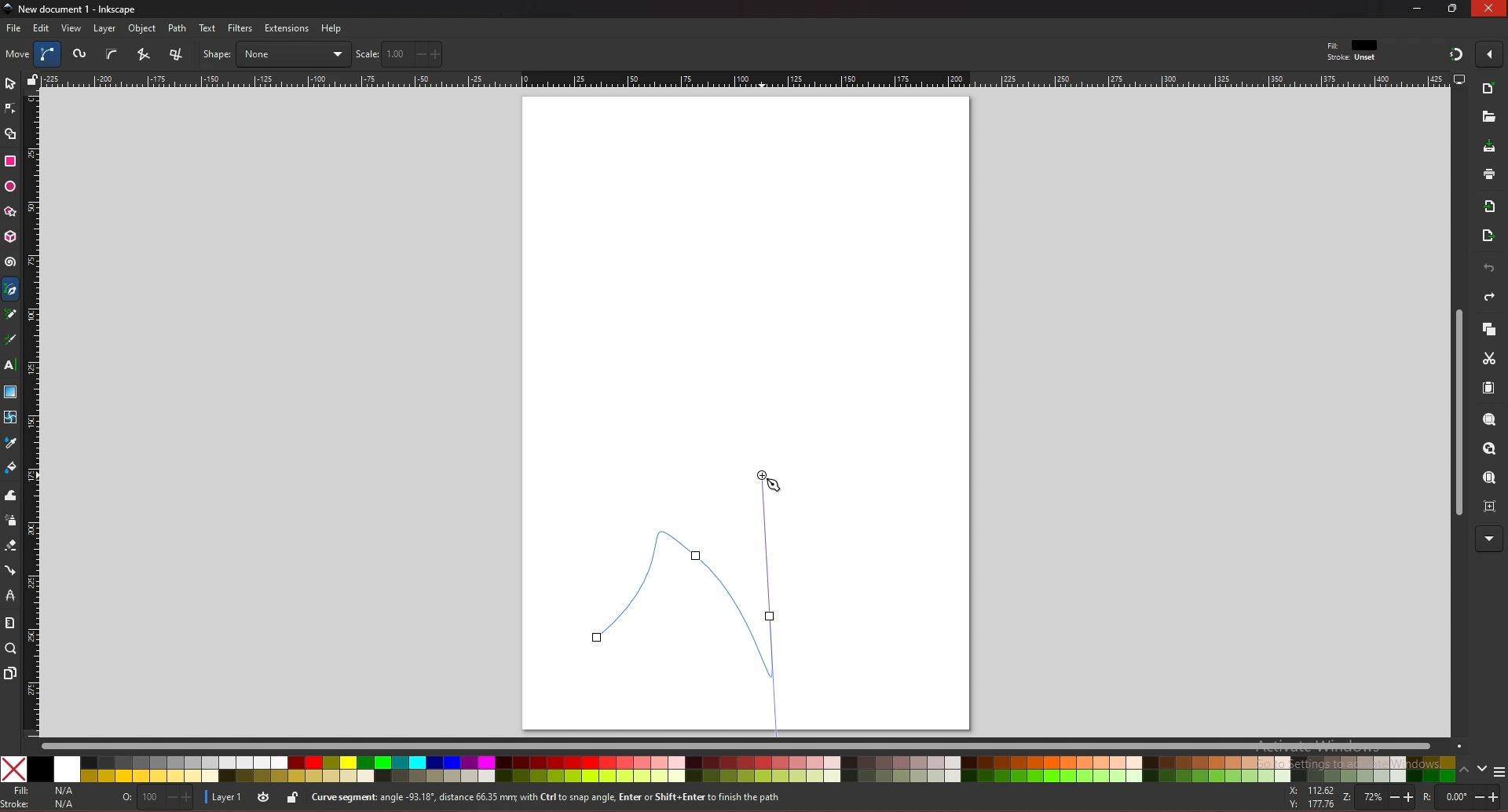 Image resolution: width=1508 pixels, height=812 pixels. Describe the element at coordinates (10, 187) in the screenshot. I see `ellipse` at that location.